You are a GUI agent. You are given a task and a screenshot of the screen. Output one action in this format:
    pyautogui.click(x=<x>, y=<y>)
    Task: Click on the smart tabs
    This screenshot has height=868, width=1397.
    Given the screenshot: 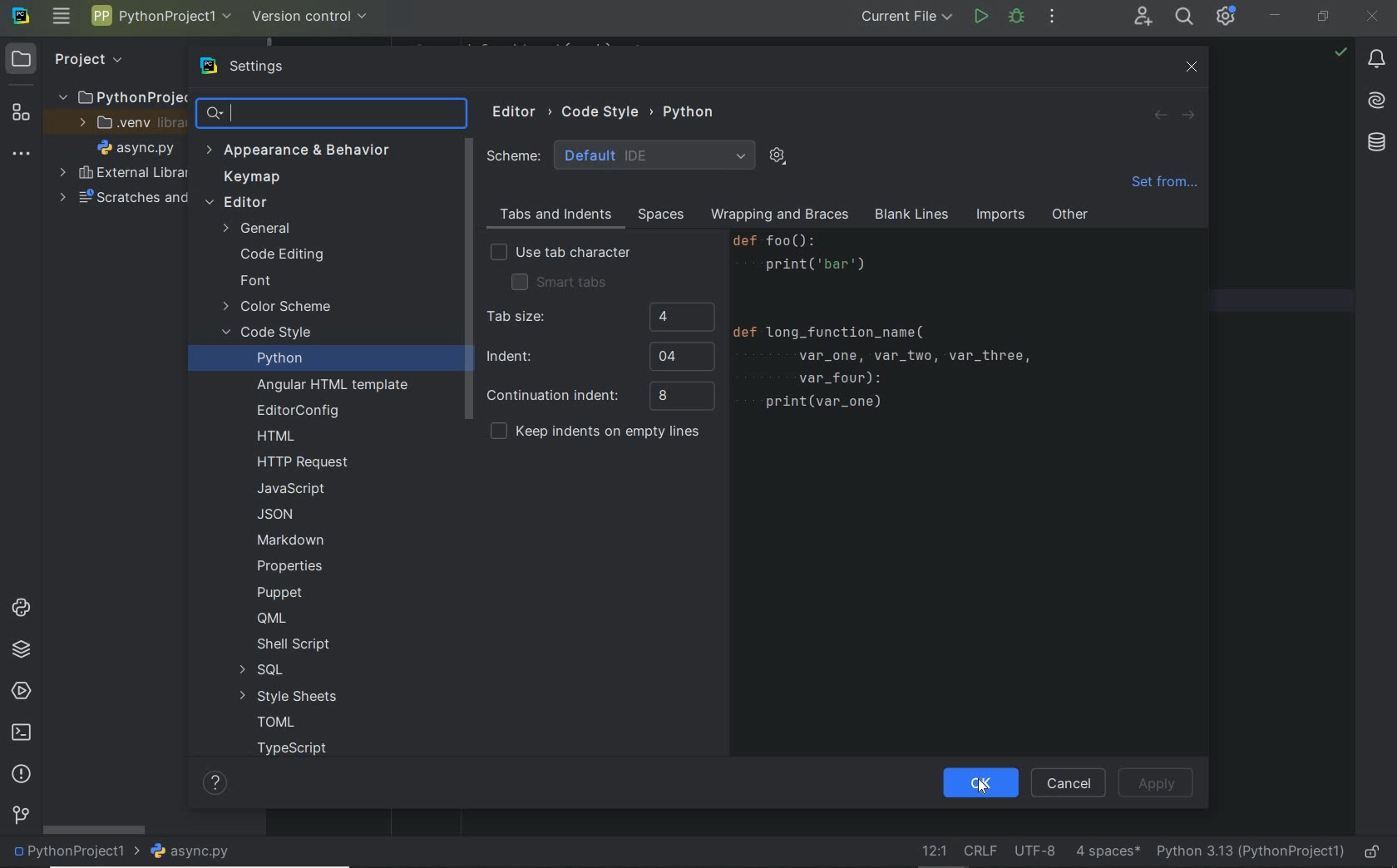 What is the action you would take?
    pyautogui.click(x=559, y=281)
    